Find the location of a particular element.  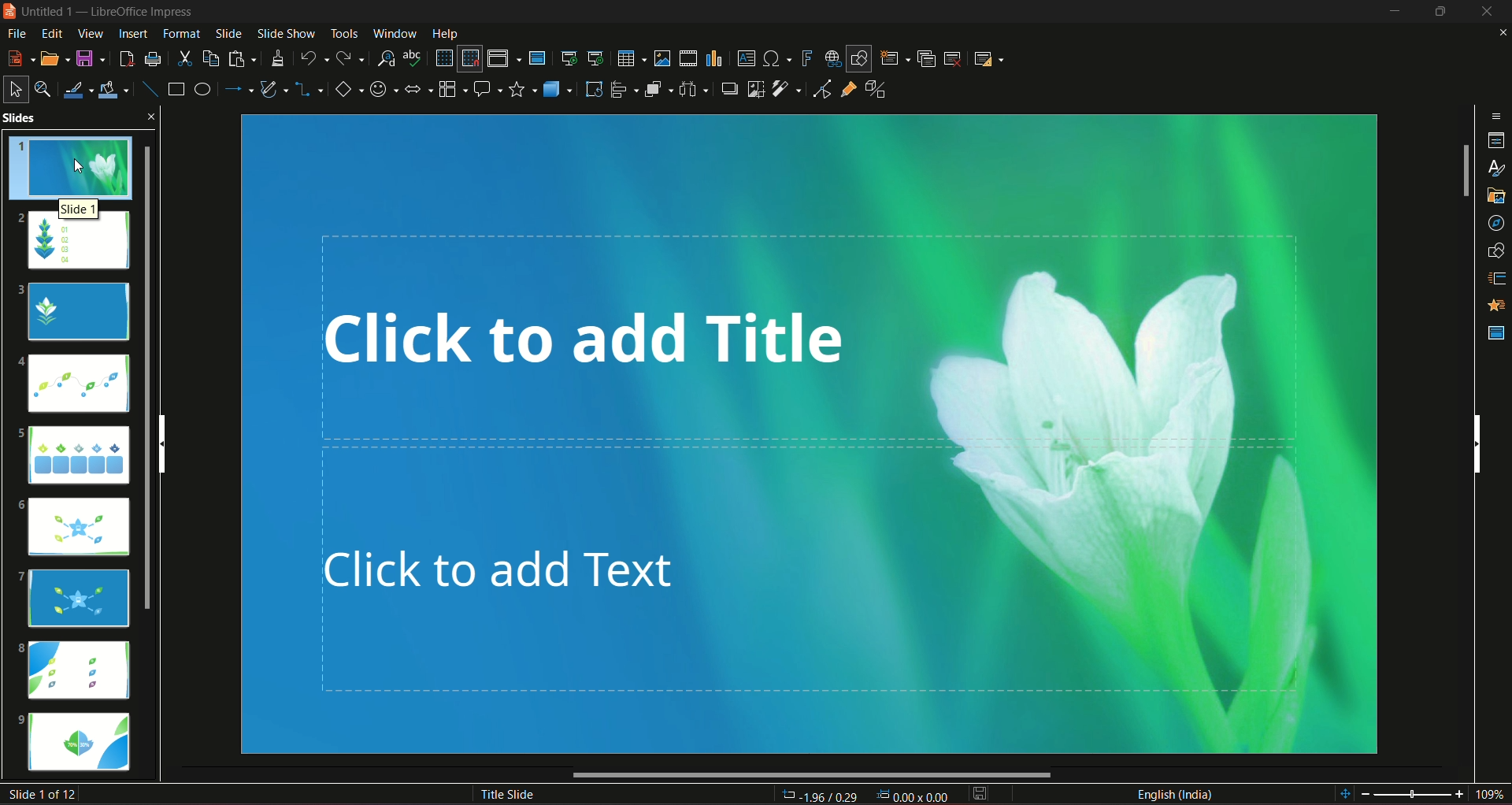

print is located at coordinates (153, 57).